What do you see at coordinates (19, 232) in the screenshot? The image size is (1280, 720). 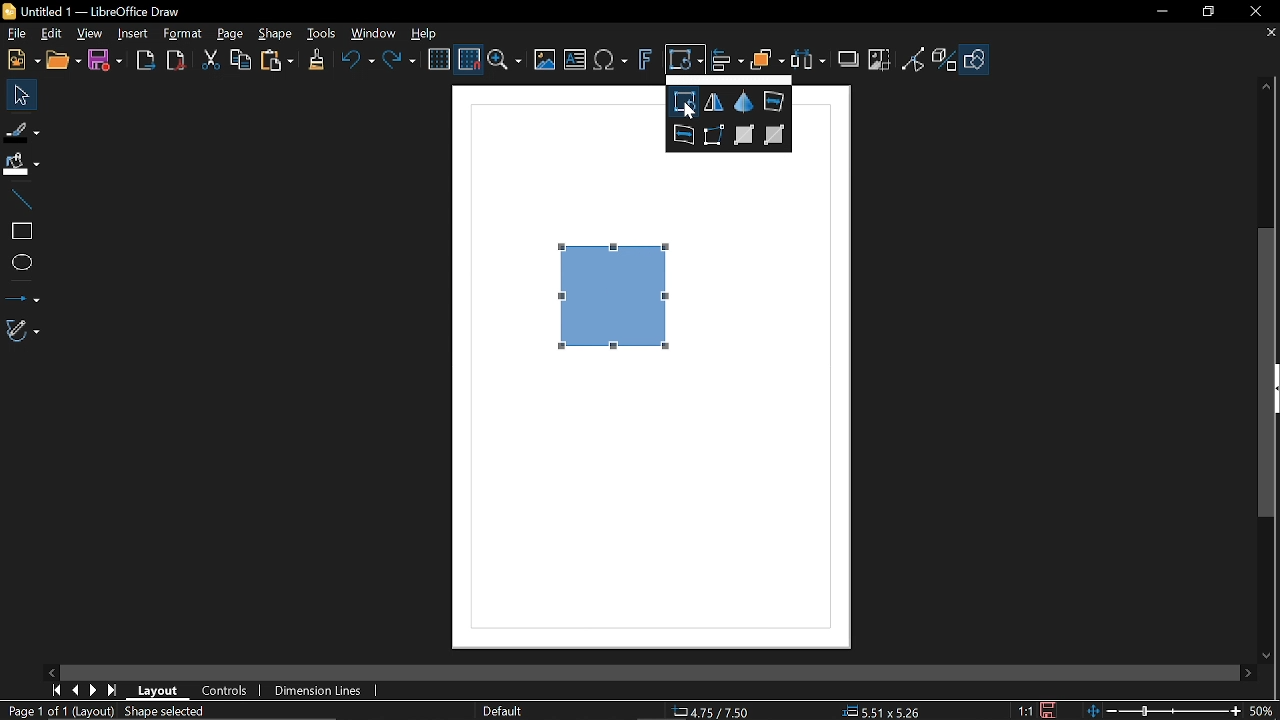 I see `rectangle` at bounding box center [19, 232].